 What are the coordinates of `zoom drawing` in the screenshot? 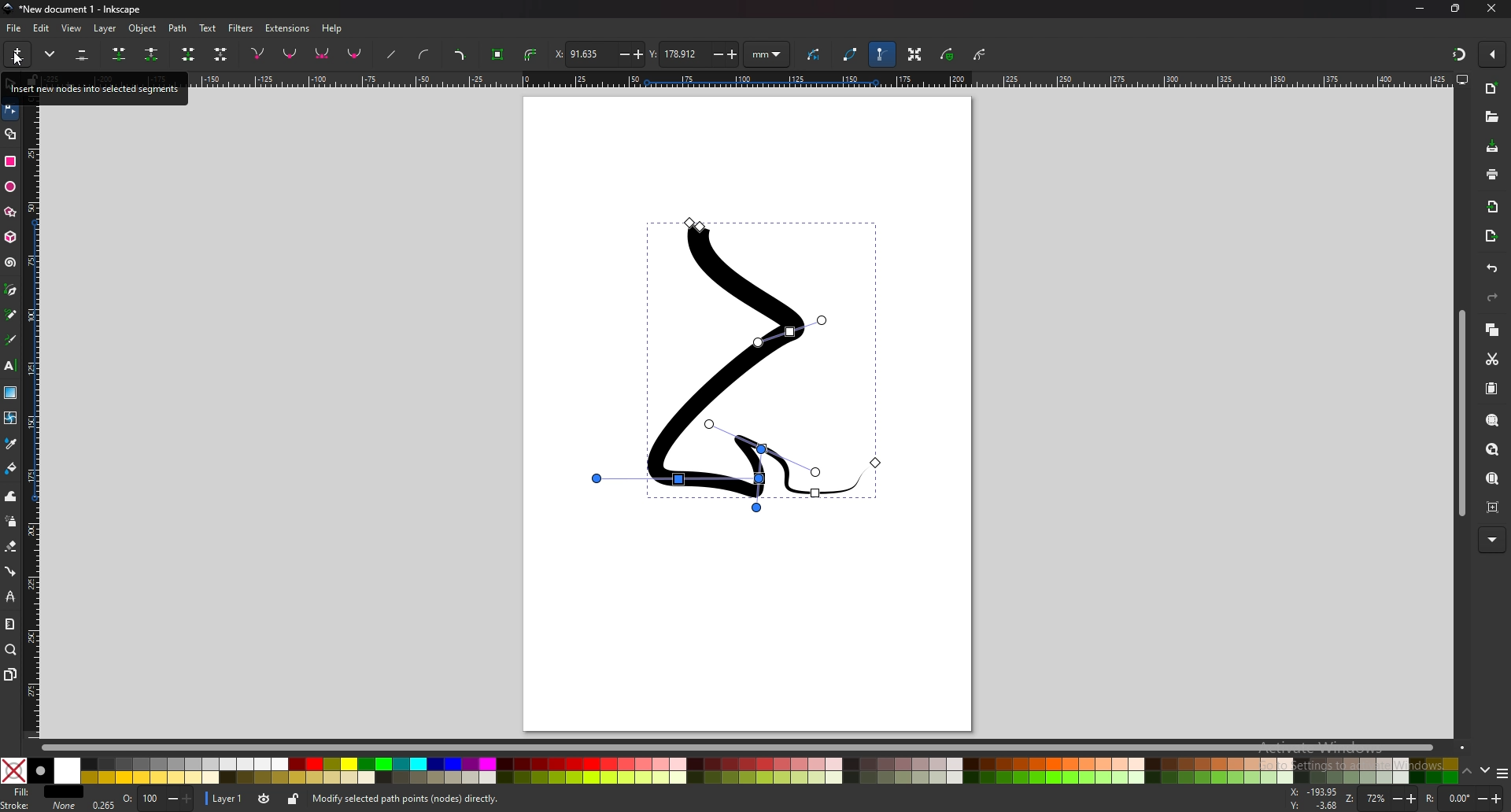 It's located at (1493, 449).